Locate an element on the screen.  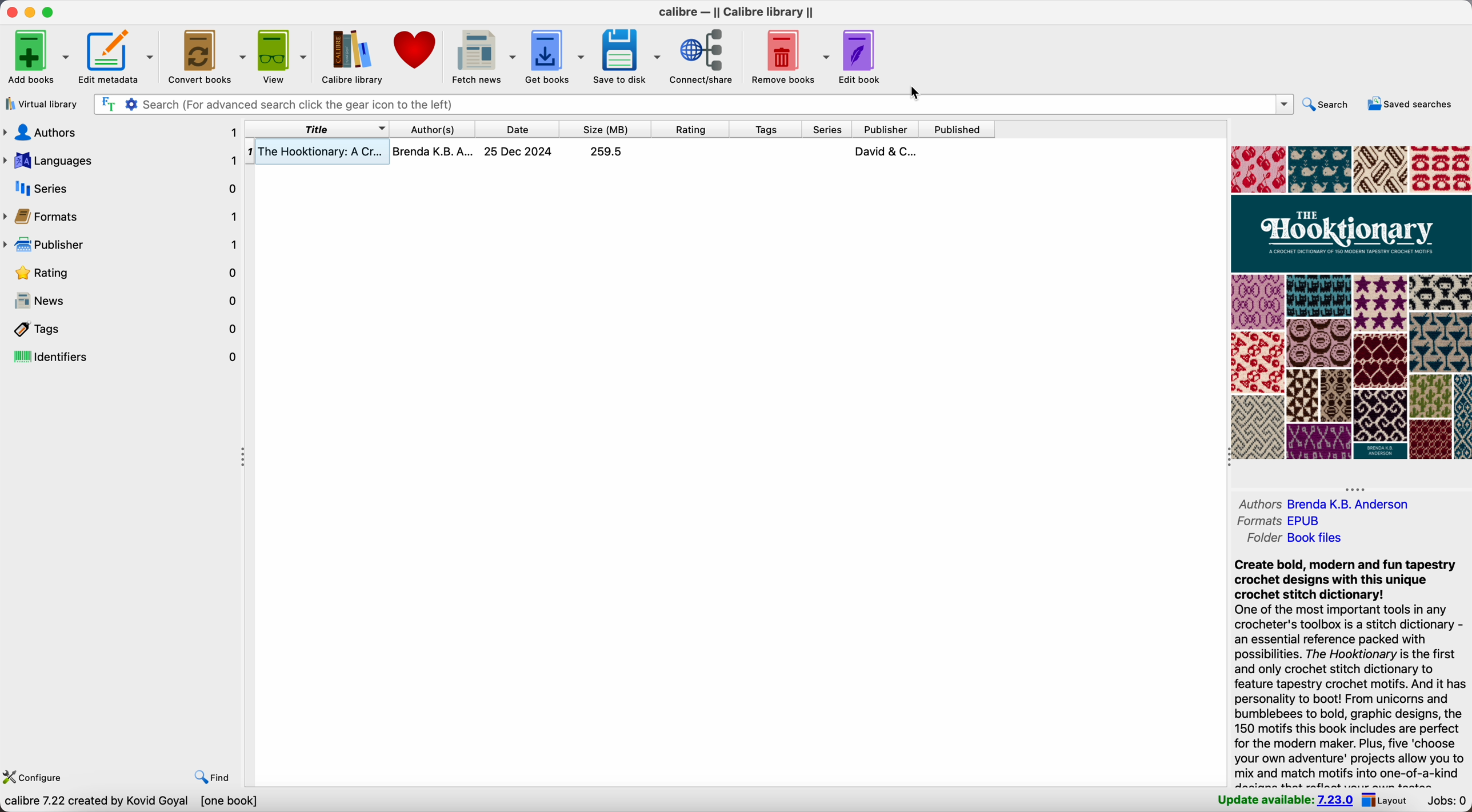
search is located at coordinates (1329, 106).